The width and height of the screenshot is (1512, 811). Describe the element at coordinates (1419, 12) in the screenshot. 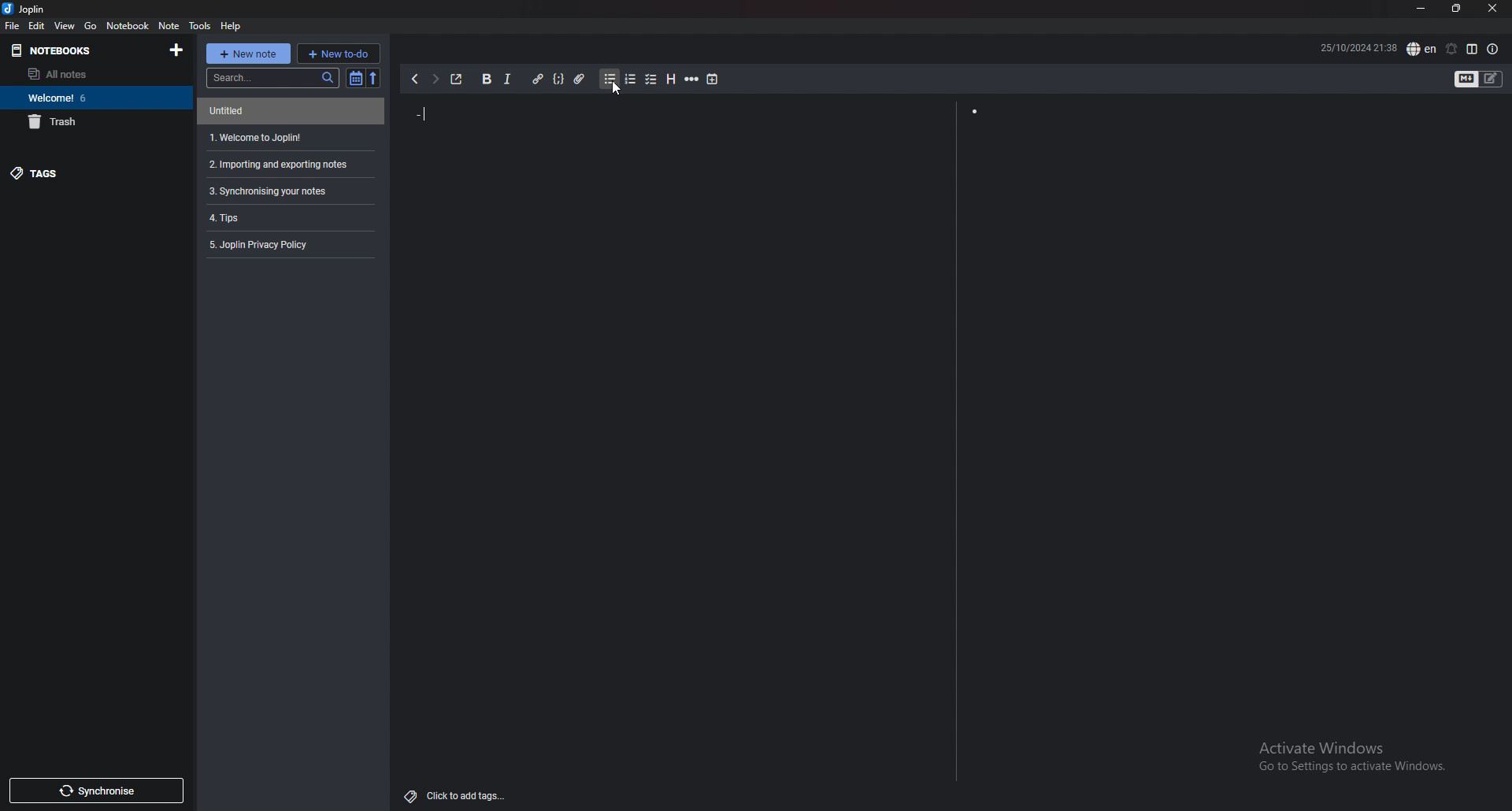

I see `minimize` at that location.